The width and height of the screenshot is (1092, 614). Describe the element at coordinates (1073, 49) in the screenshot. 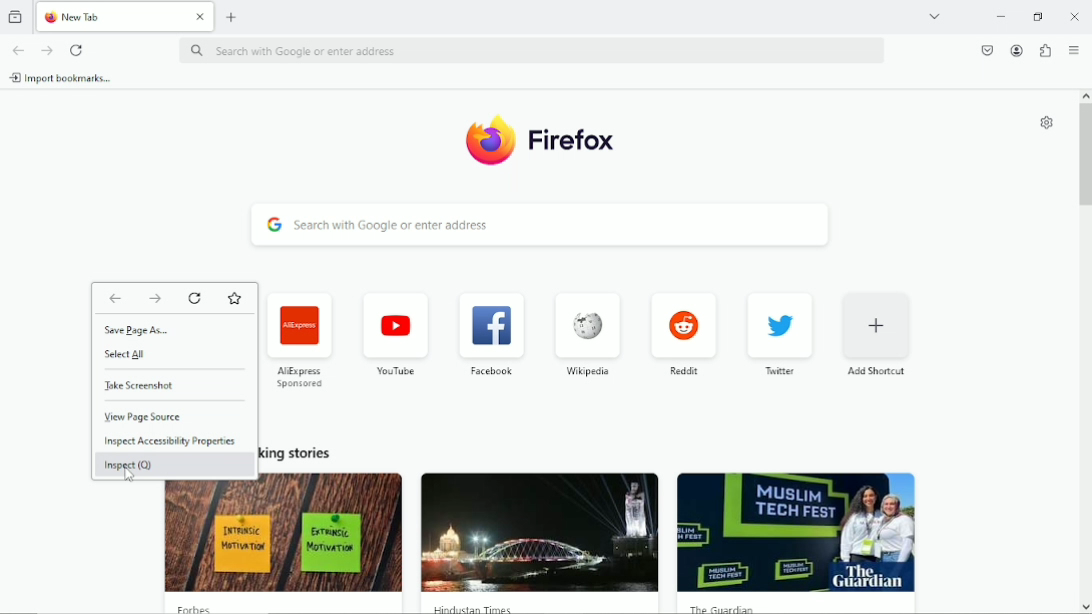

I see `Open application menu` at that location.